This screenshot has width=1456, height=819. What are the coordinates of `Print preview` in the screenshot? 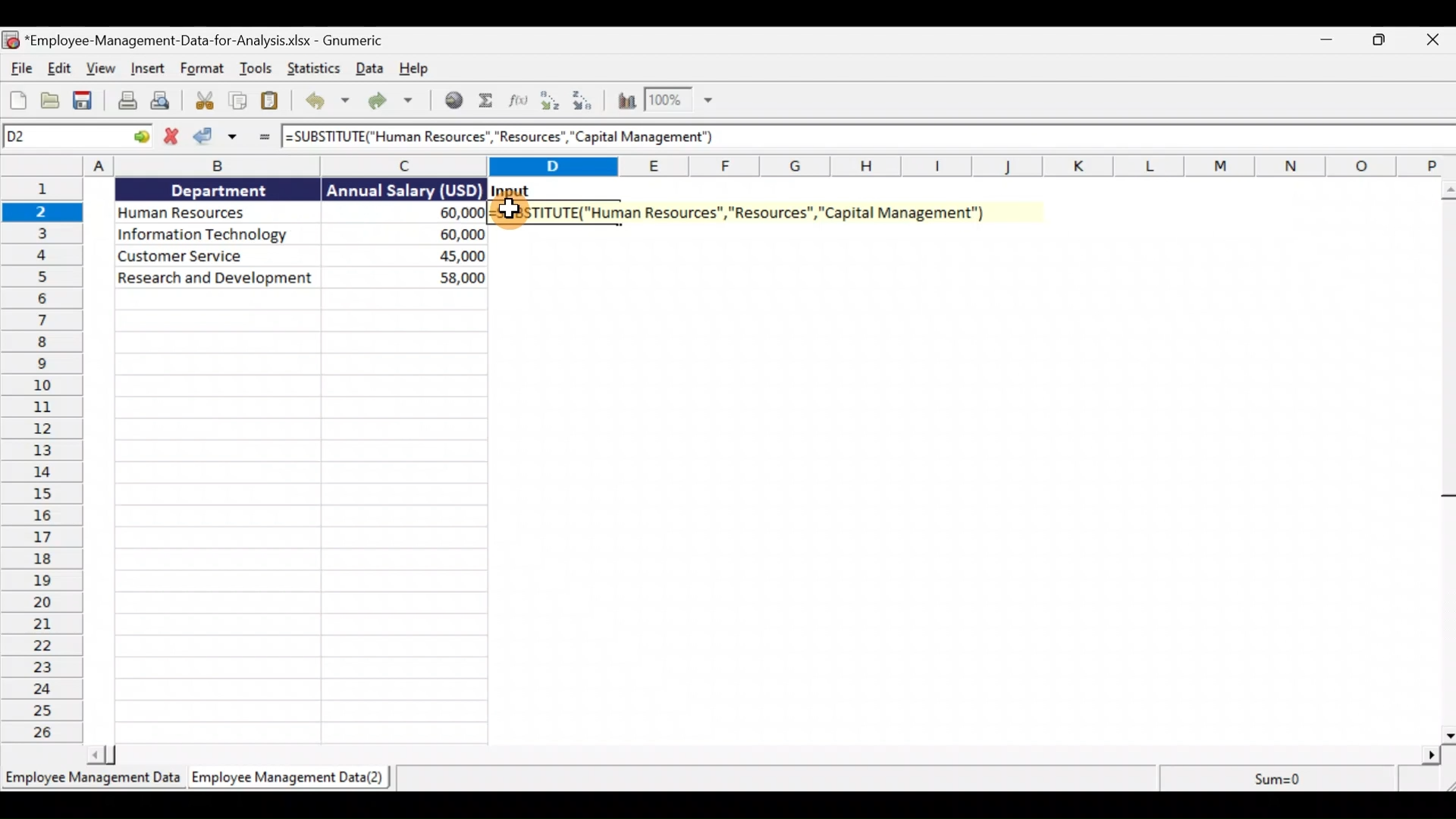 It's located at (166, 102).